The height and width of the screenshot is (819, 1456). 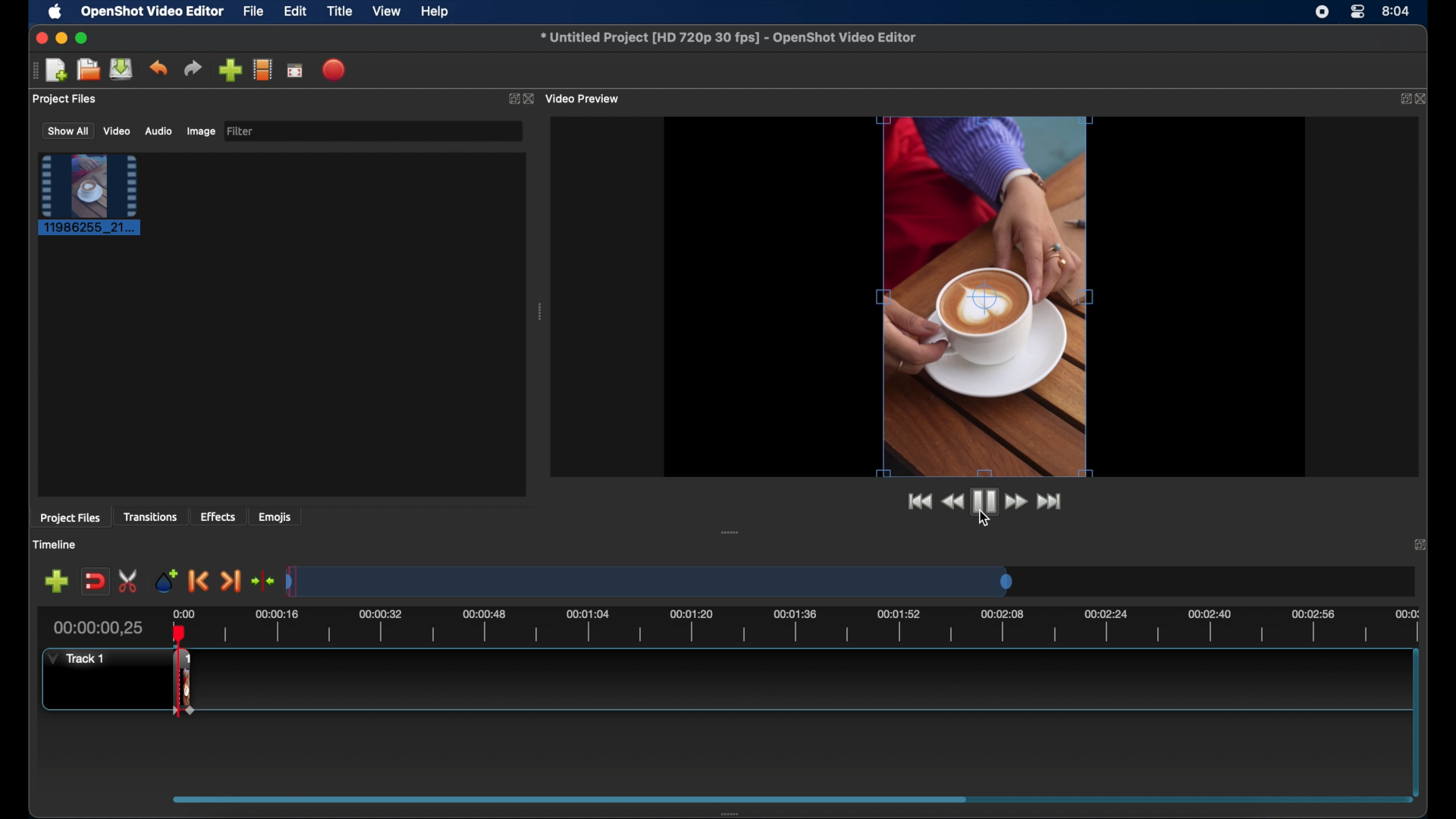 What do you see at coordinates (153, 12) in the screenshot?
I see `openshot video editor` at bounding box center [153, 12].